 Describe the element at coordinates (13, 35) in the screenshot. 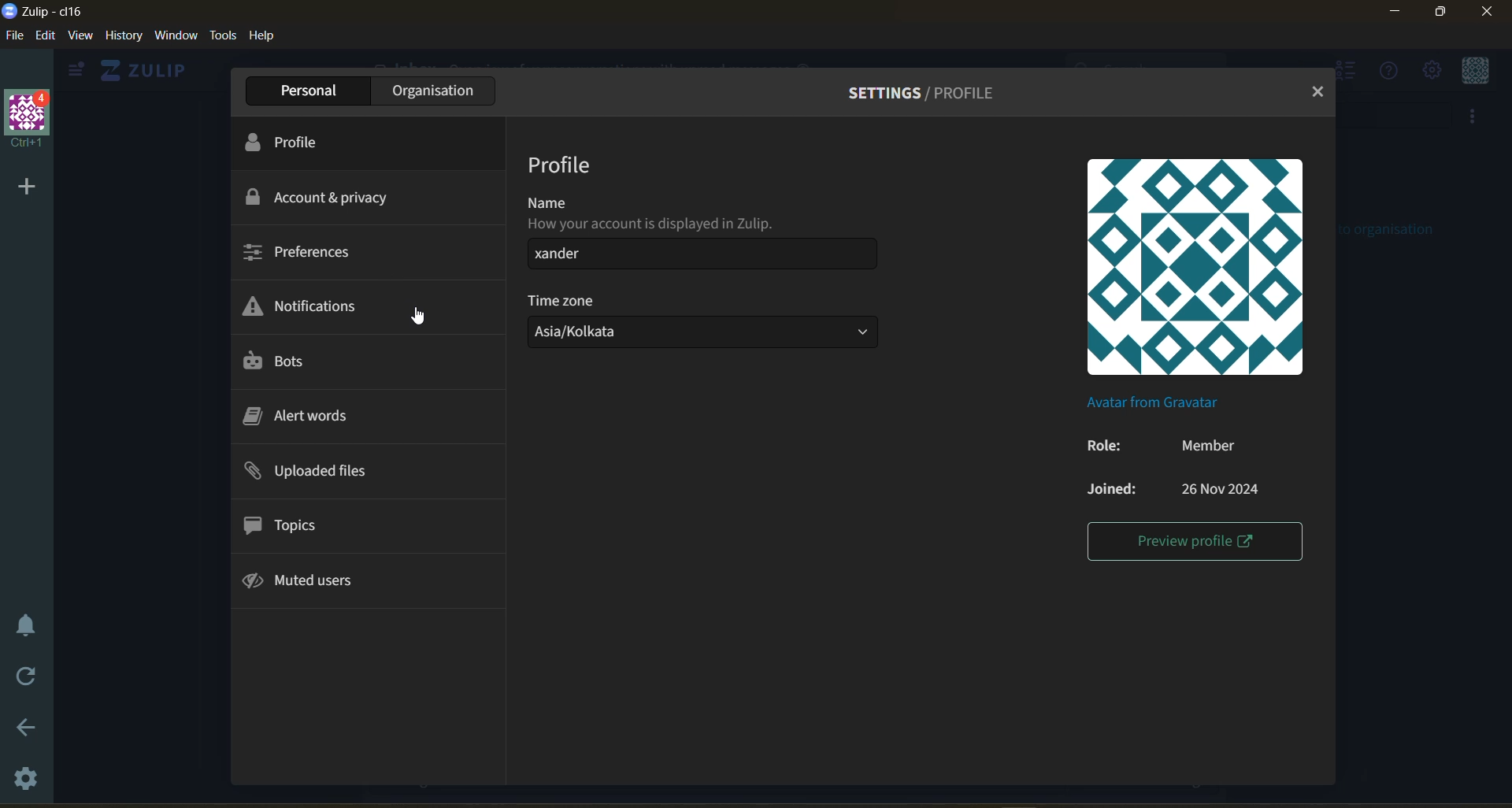

I see `file` at that location.